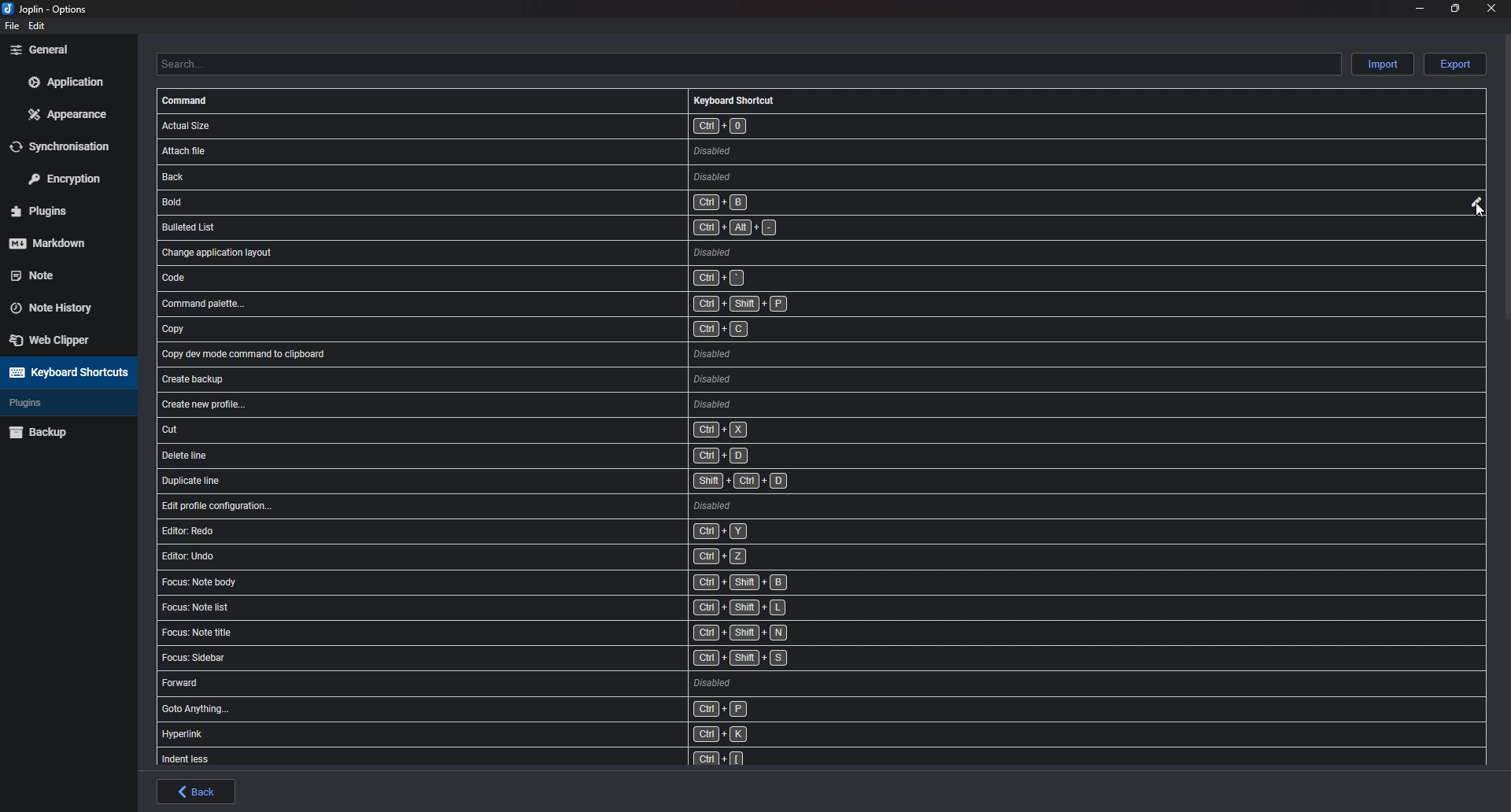 The height and width of the screenshot is (812, 1511). What do you see at coordinates (61, 212) in the screenshot?
I see `Plugins` at bounding box center [61, 212].